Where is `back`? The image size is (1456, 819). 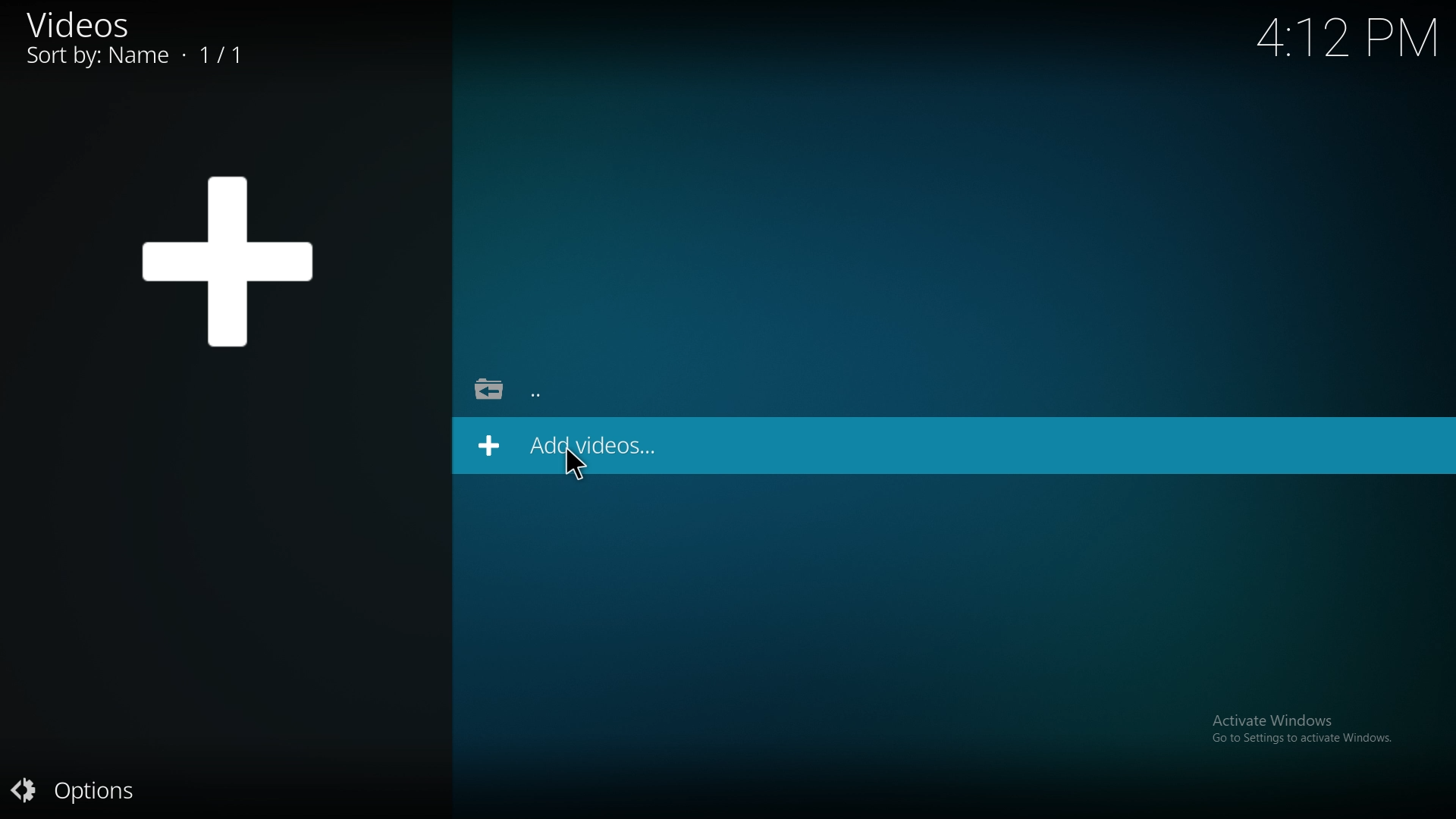
back is located at coordinates (525, 392).